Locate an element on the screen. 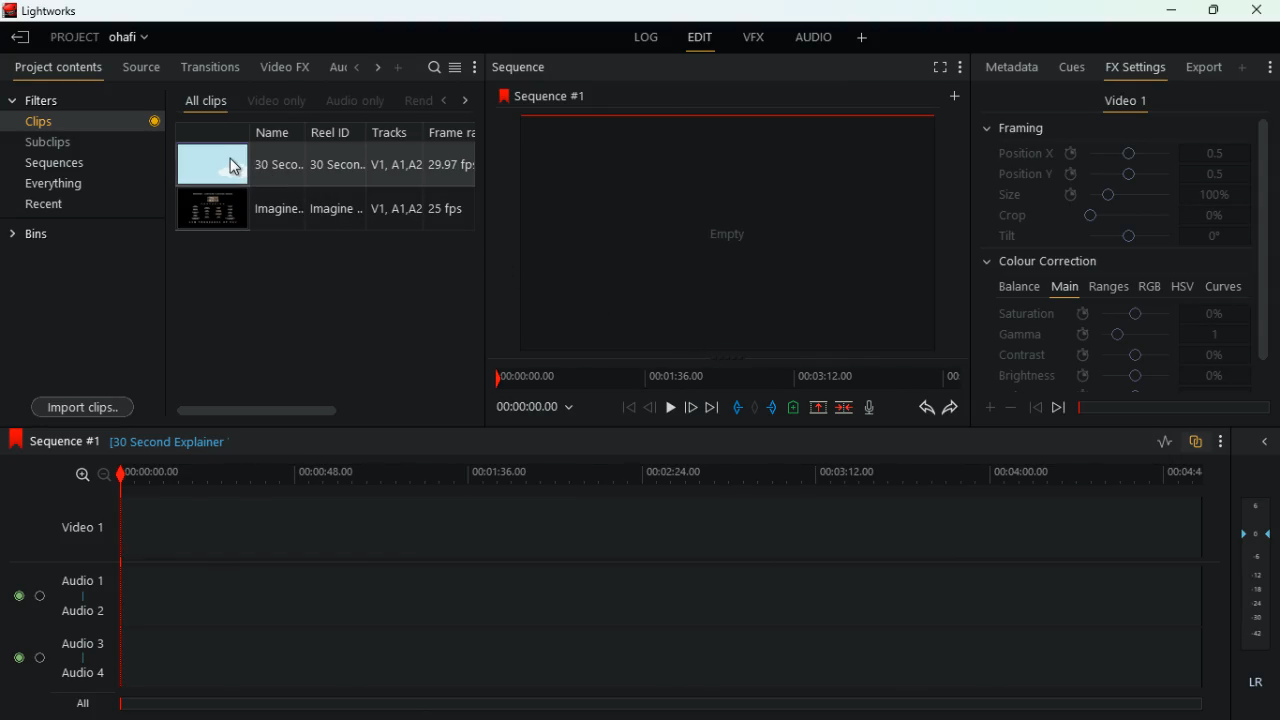 The width and height of the screenshot is (1280, 720). main is located at coordinates (1064, 285).